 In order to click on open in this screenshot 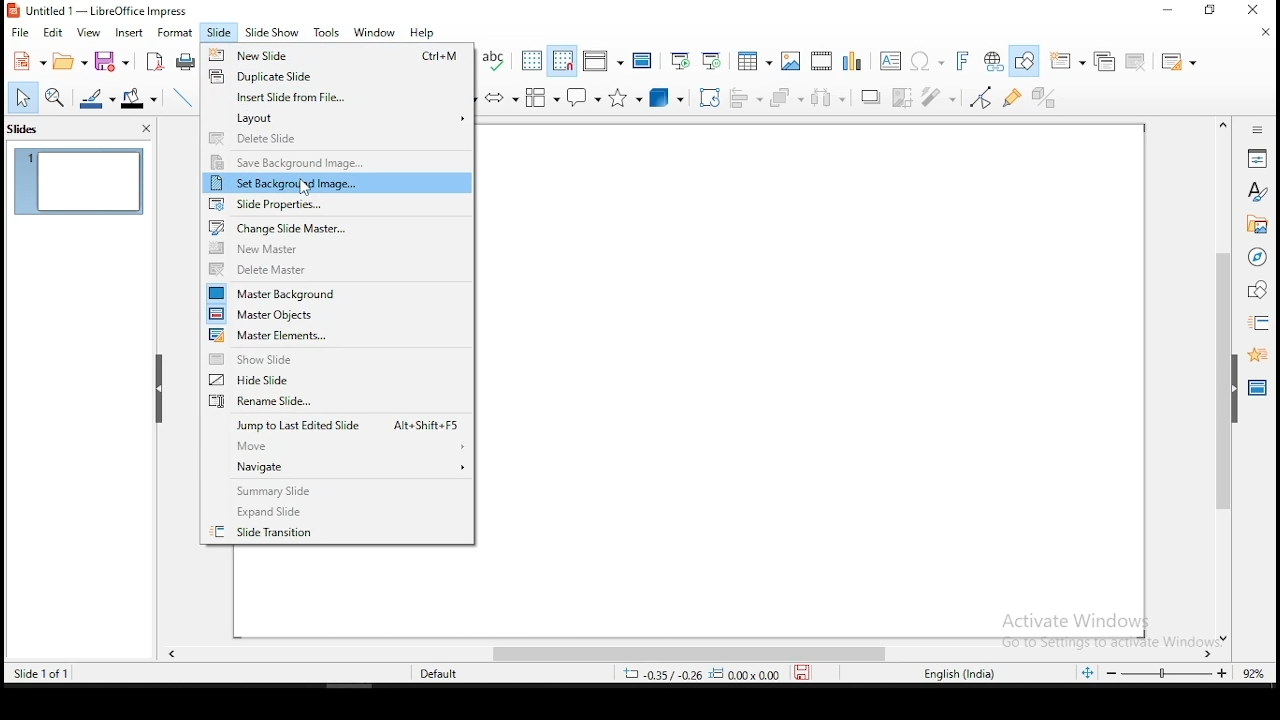, I will do `click(70, 59)`.